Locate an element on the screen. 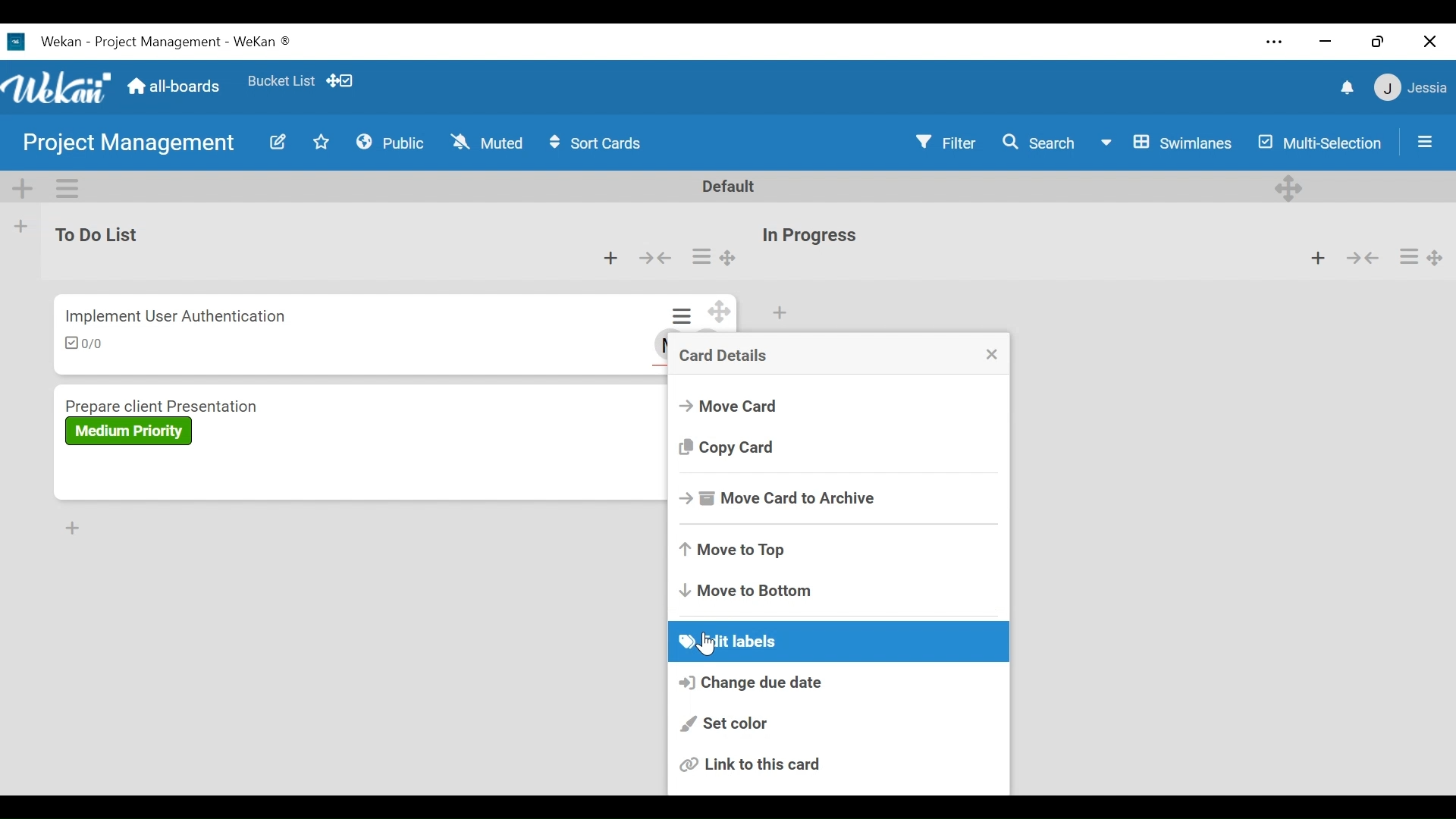 The image size is (1456, 819). Desktop drag handles is located at coordinates (722, 312).